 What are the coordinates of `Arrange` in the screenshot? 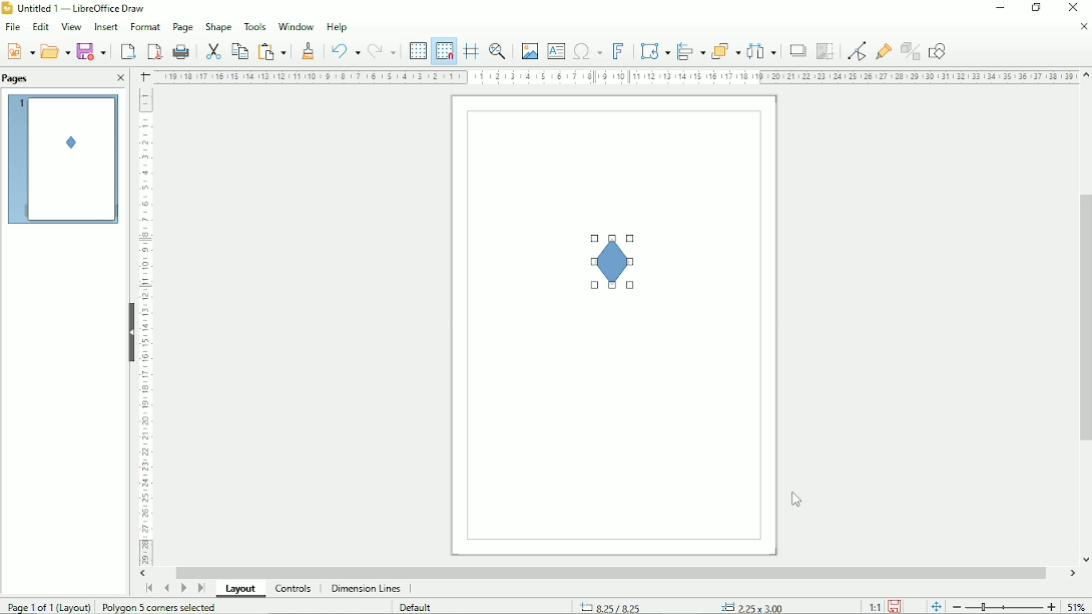 It's located at (725, 50).